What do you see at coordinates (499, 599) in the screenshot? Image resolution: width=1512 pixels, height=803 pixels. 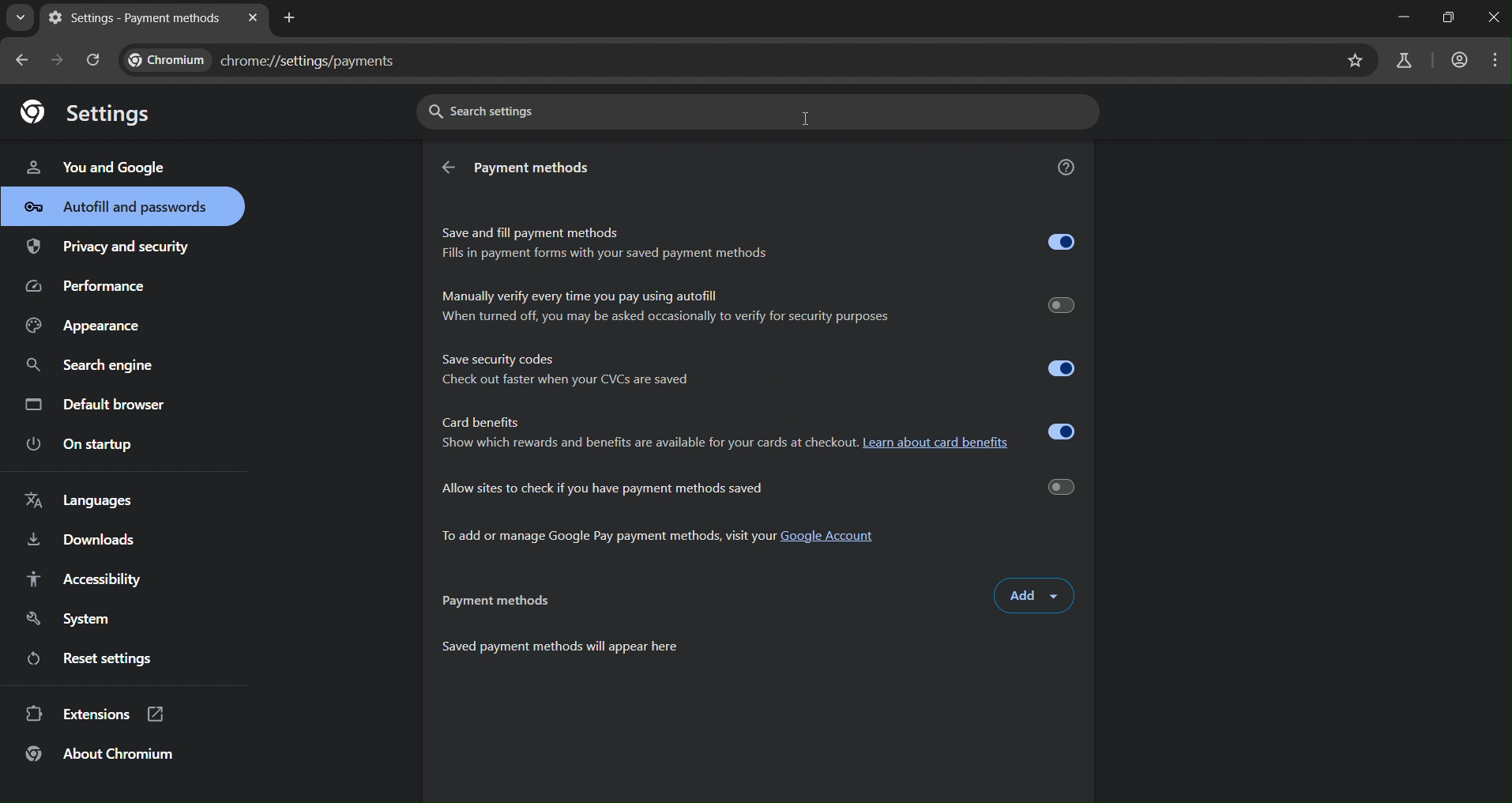 I see `paymentmethods` at bounding box center [499, 599].